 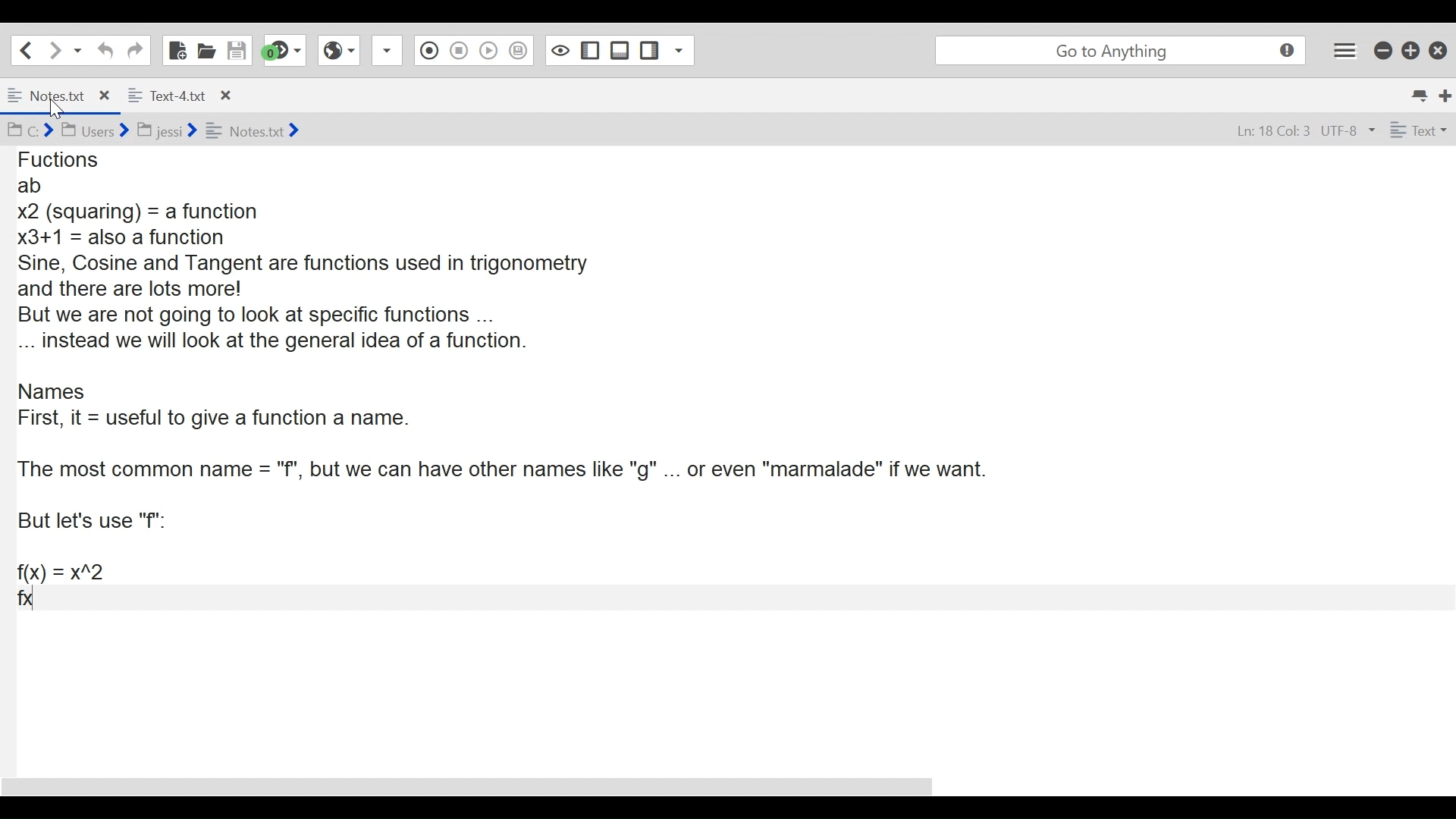 I want to click on Application menu, so click(x=1346, y=50).